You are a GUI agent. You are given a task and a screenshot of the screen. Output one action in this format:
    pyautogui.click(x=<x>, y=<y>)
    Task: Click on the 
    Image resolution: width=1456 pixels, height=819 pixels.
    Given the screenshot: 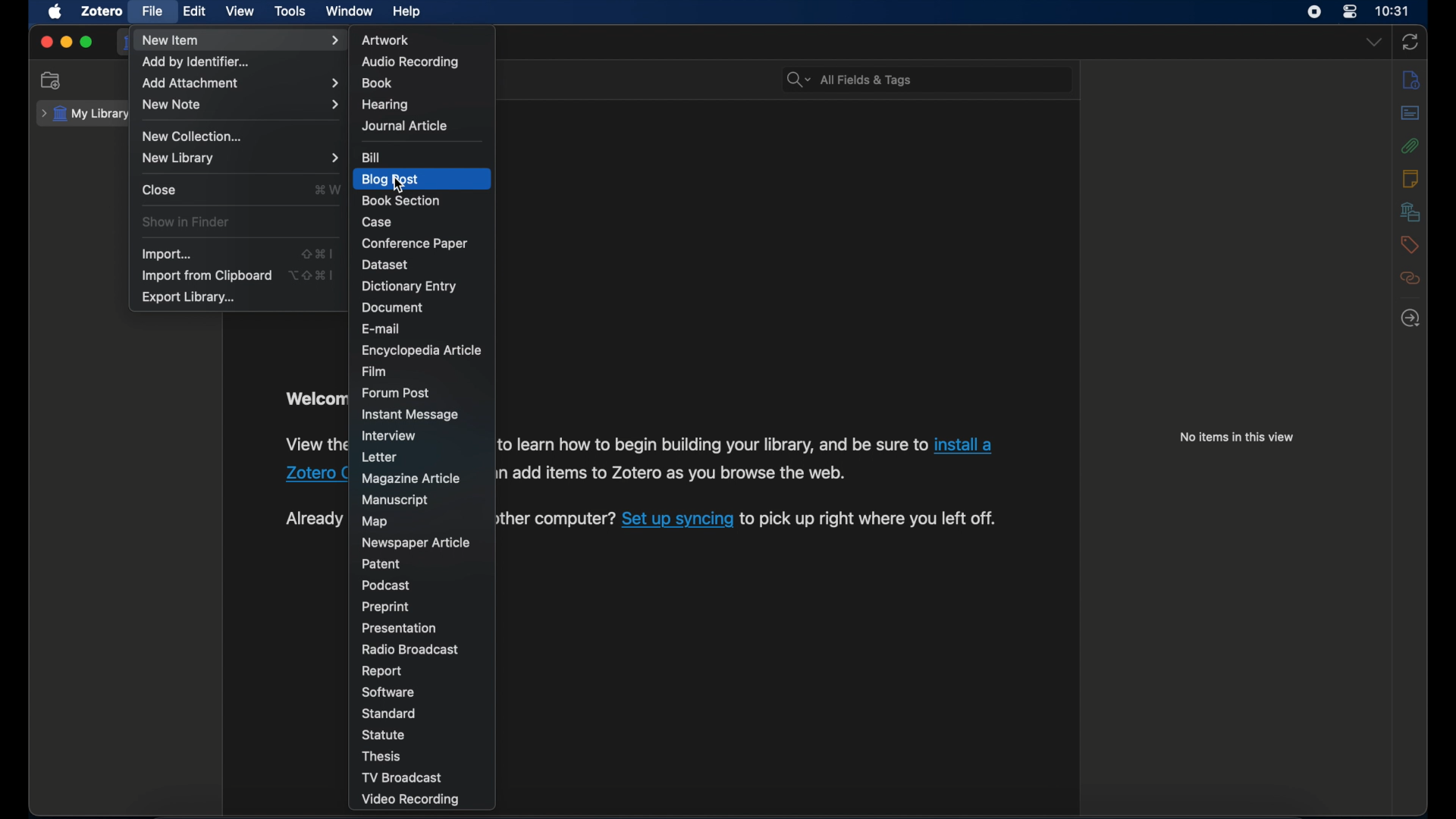 What is the action you would take?
    pyautogui.click(x=962, y=447)
    